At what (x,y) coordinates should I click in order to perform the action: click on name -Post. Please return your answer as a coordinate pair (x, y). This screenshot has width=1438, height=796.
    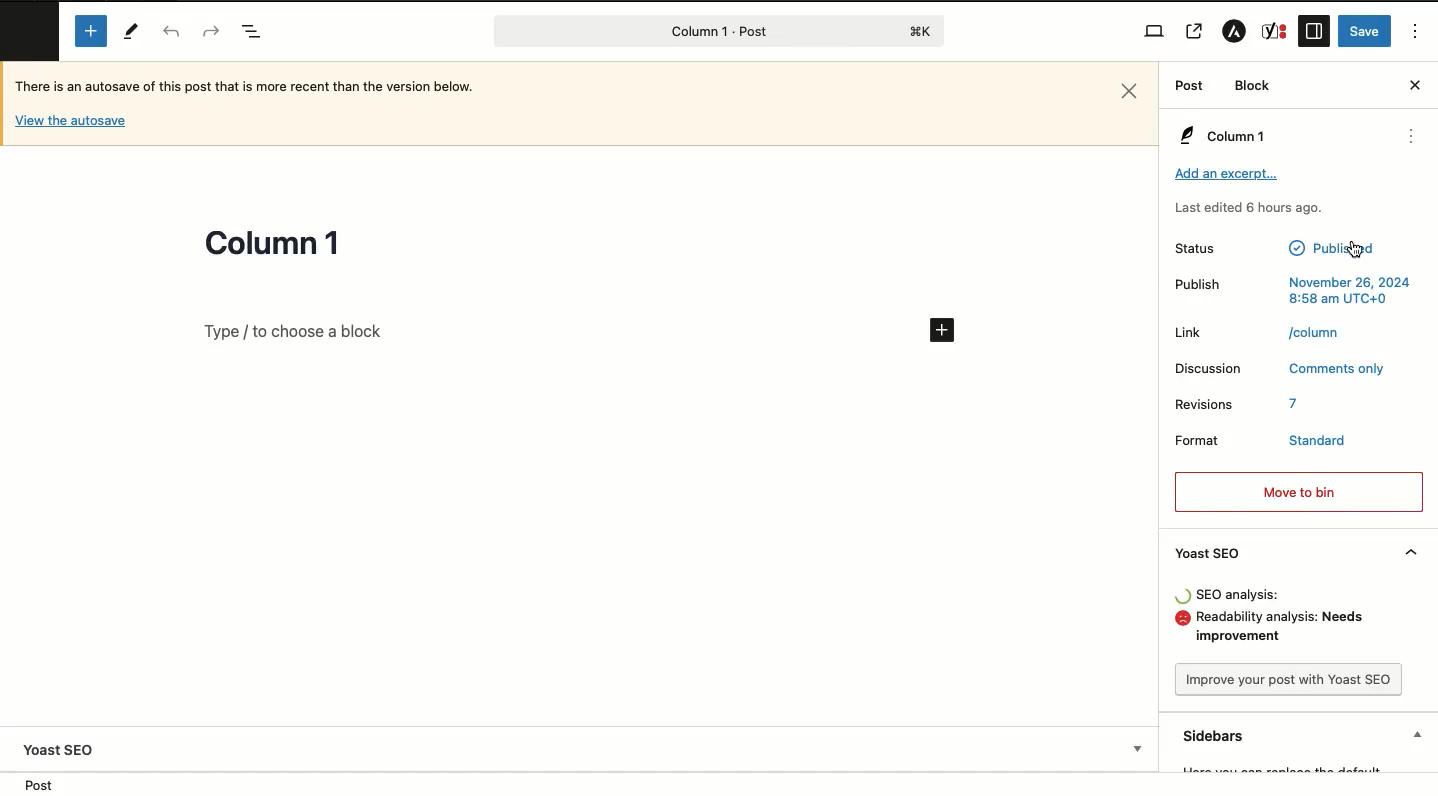
    Looking at the image, I should click on (684, 33).